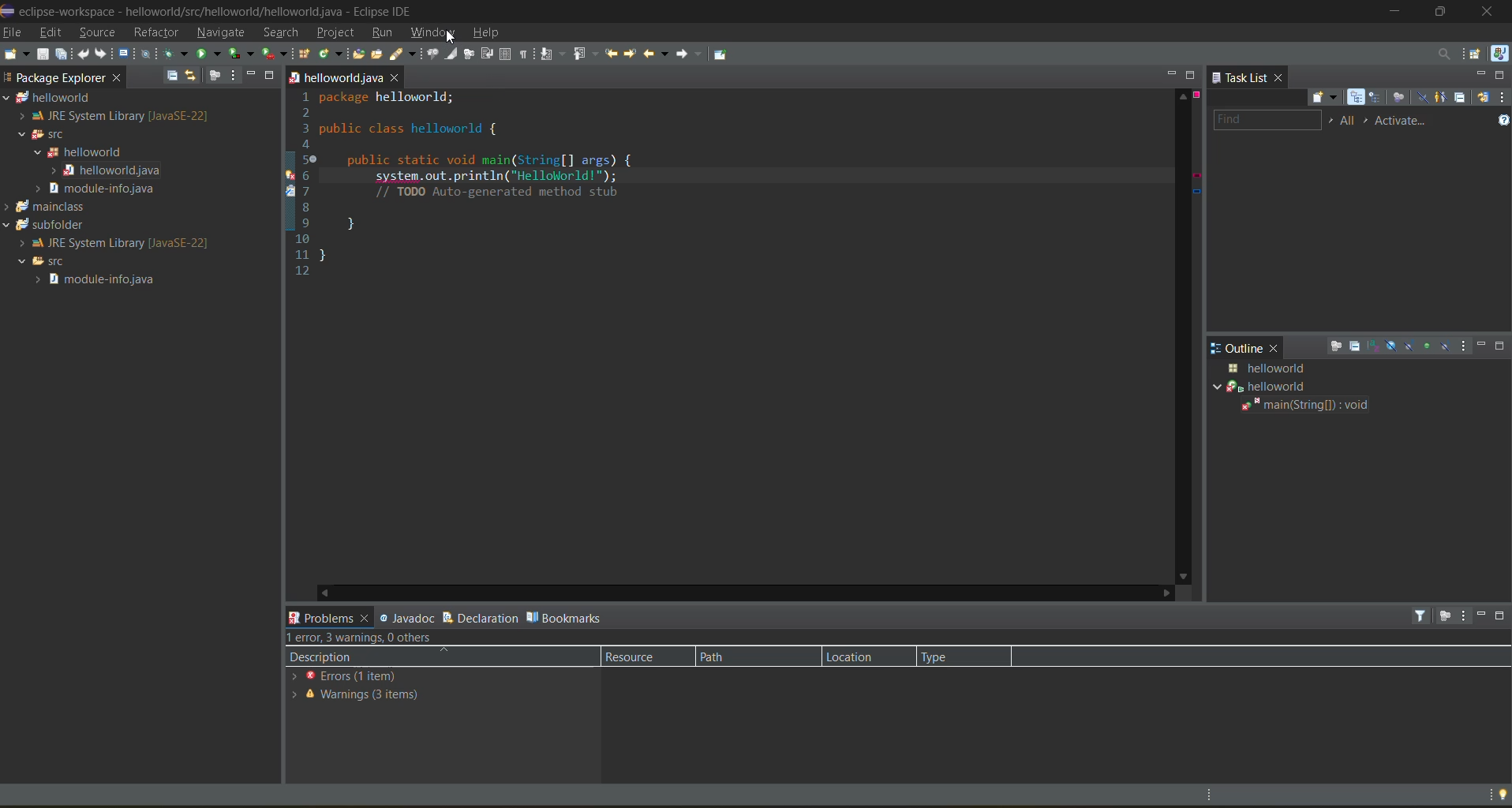  Describe the element at coordinates (720, 54) in the screenshot. I see `pin editor` at that location.